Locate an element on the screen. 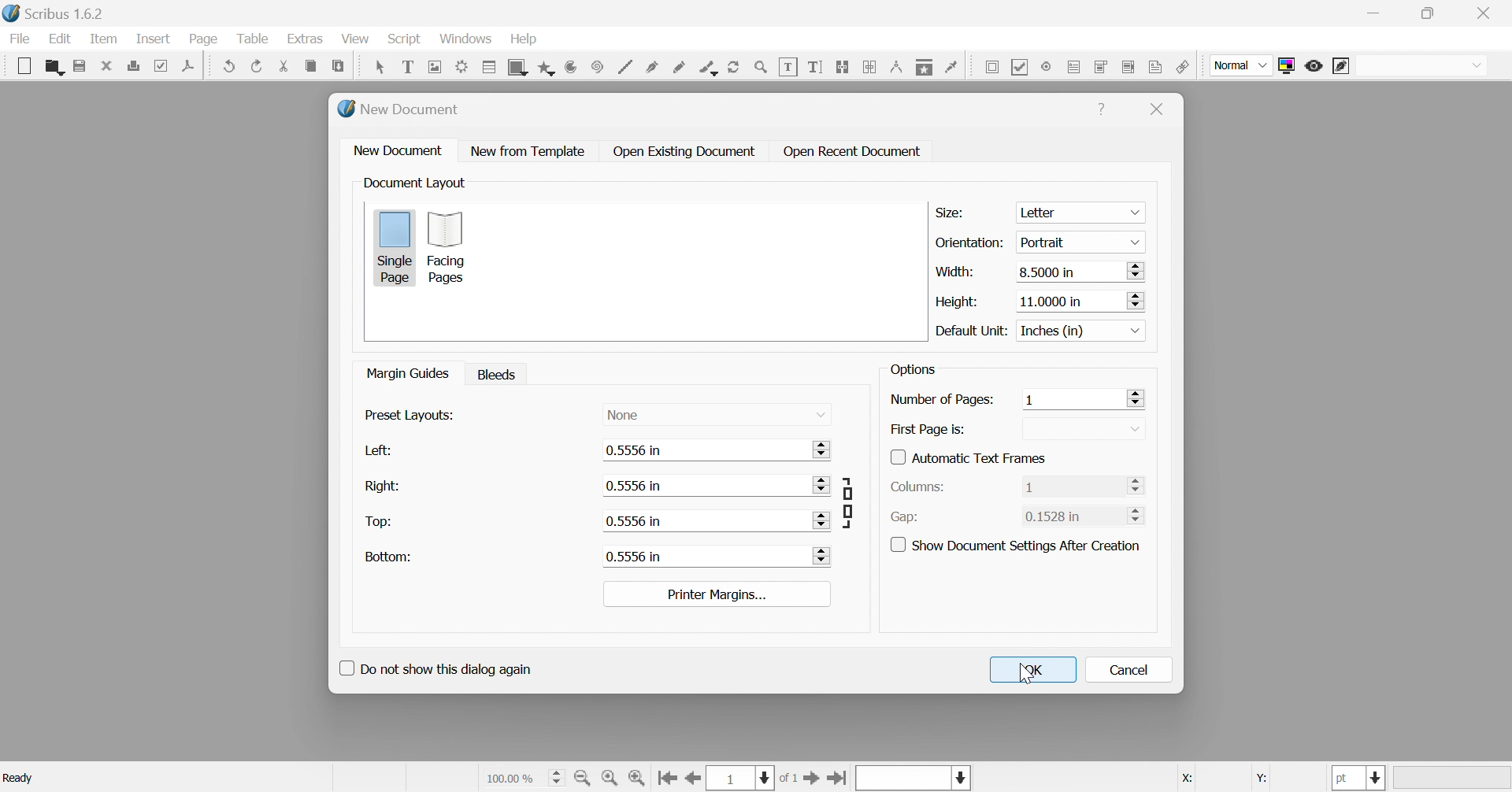 This screenshot has height=792, width=1512. render frame is located at coordinates (464, 65).